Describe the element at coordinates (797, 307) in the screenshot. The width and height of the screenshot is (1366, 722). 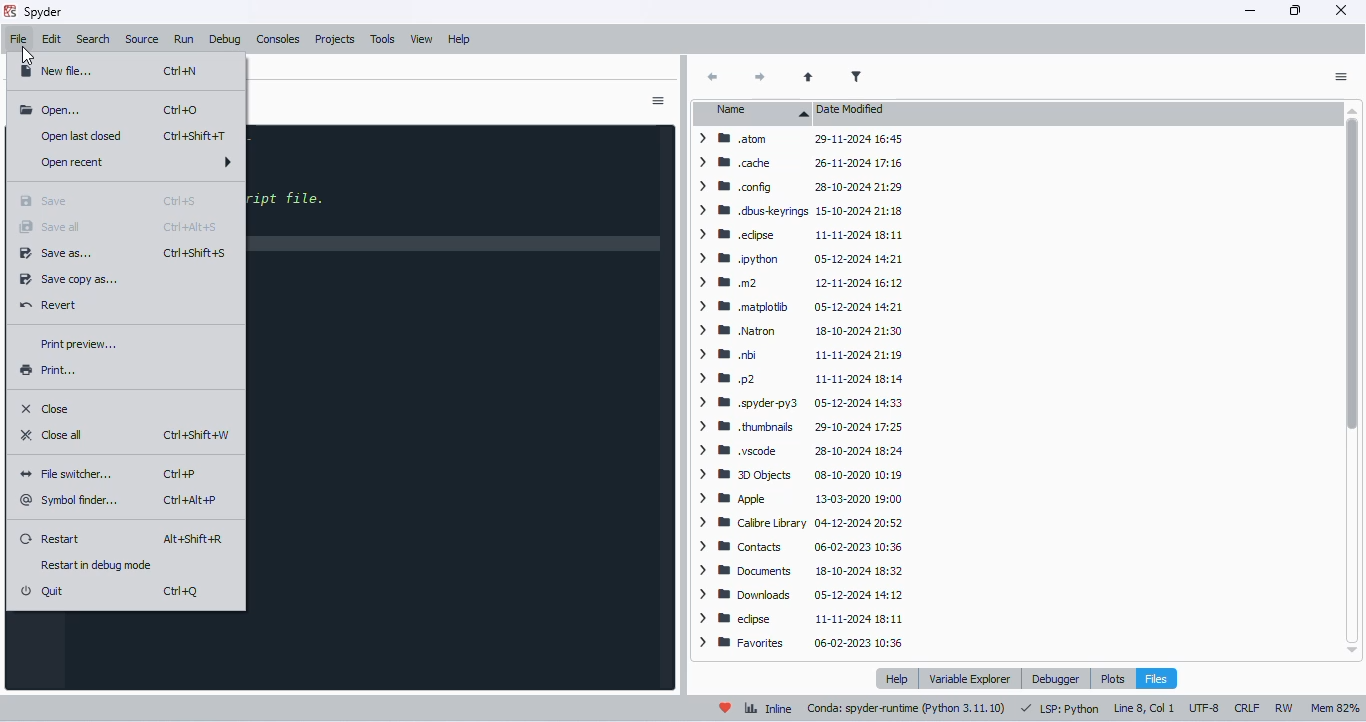
I see `> BW matplotib 05-12-2024 14:21` at that location.